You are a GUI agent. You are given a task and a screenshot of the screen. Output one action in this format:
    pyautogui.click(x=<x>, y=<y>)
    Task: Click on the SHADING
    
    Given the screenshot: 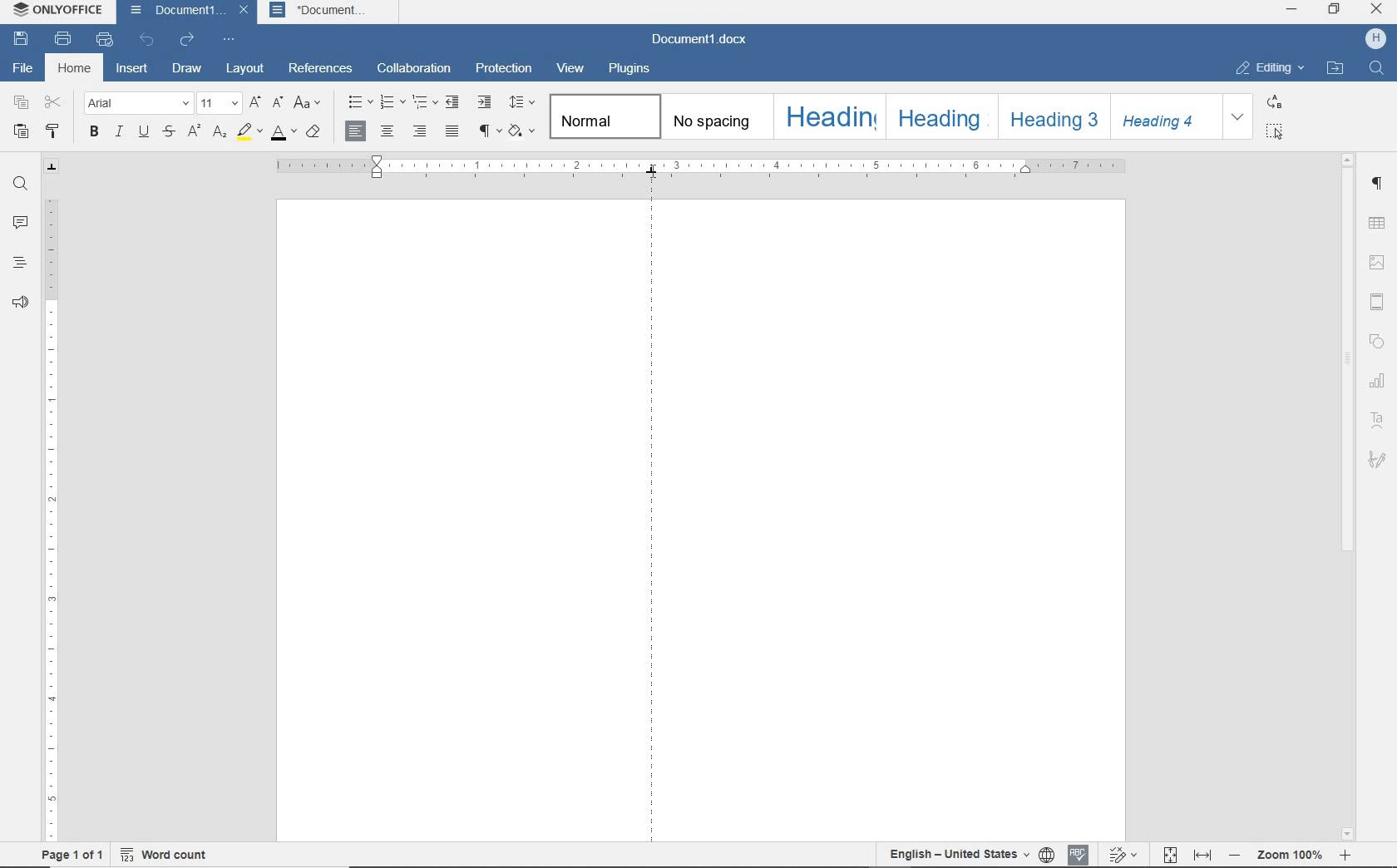 What is the action you would take?
    pyautogui.click(x=521, y=131)
    